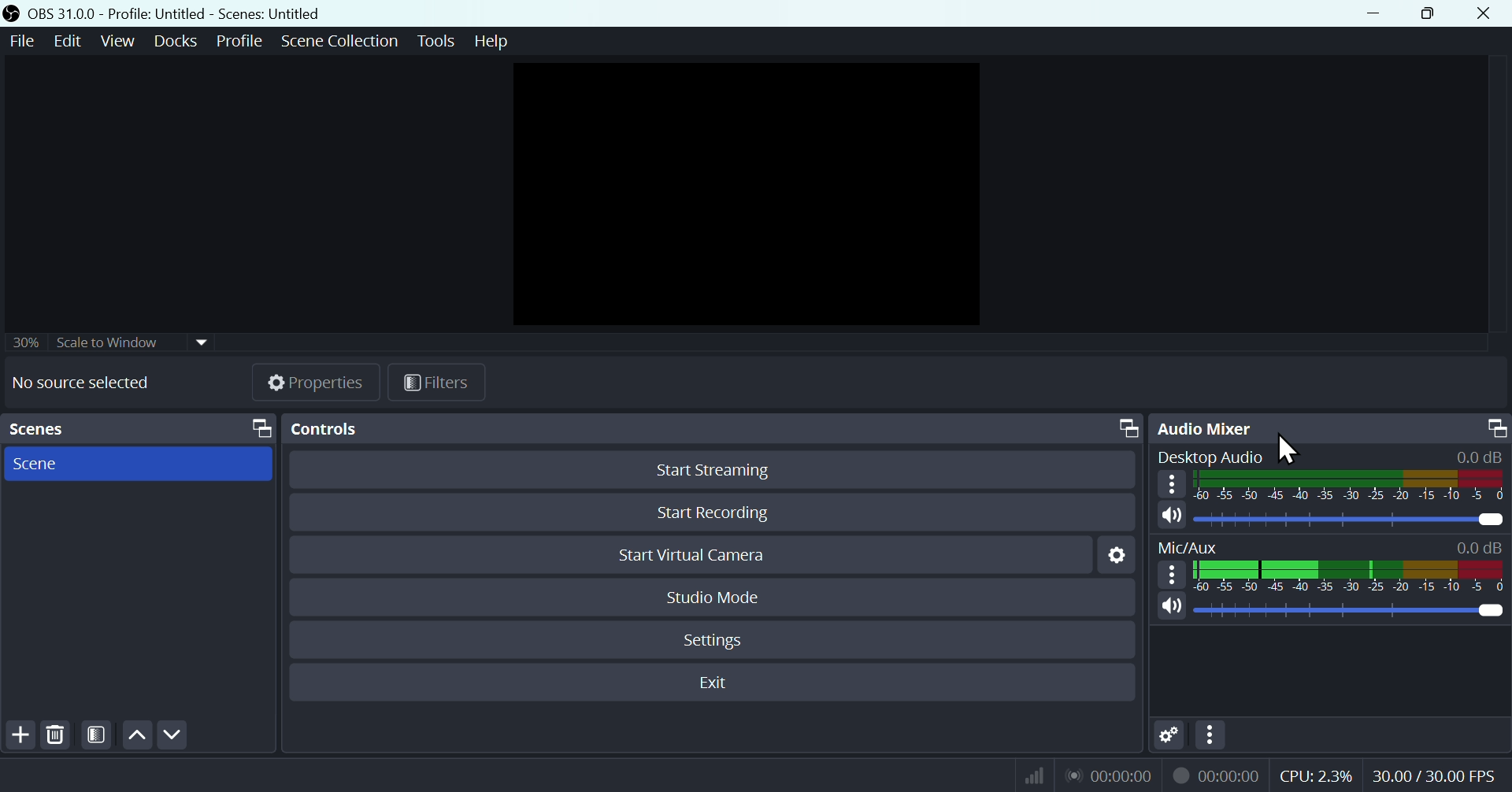 Image resolution: width=1512 pixels, height=792 pixels. Describe the element at coordinates (97, 735) in the screenshot. I see `Contrast` at that location.